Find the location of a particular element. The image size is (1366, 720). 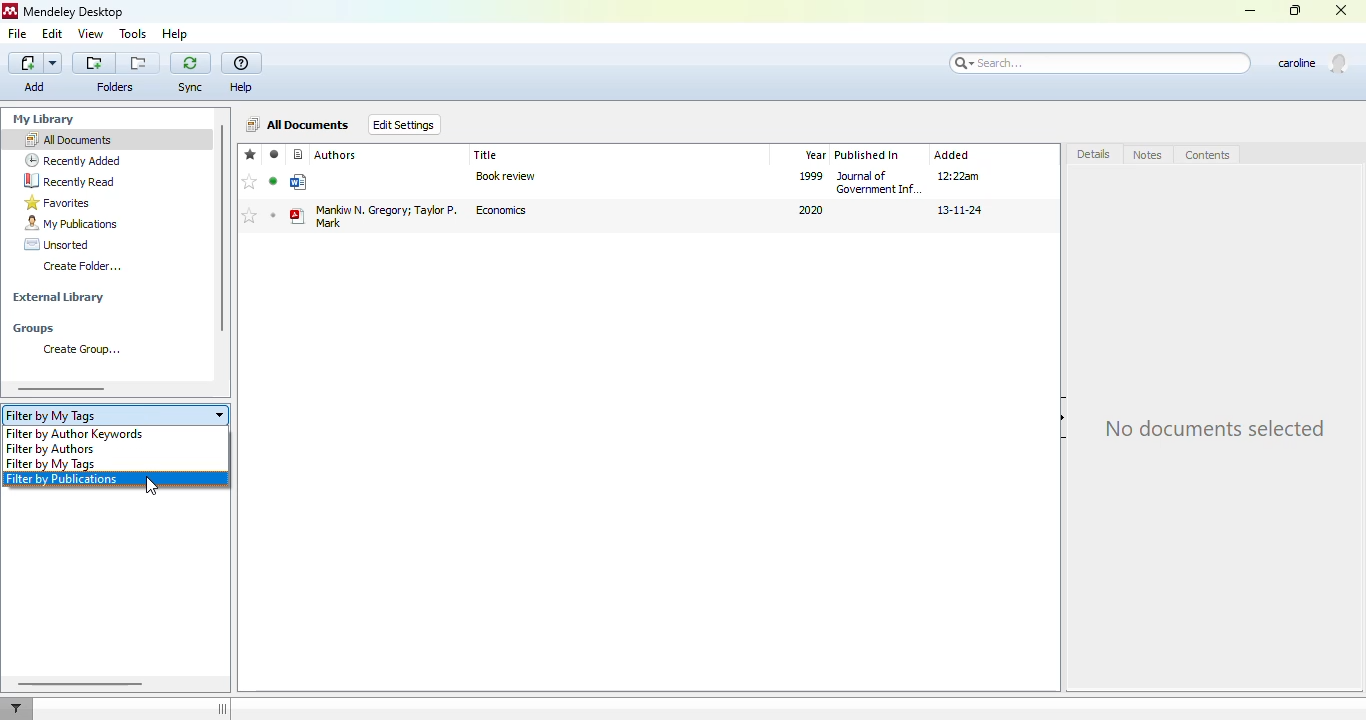

search is located at coordinates (1099, 64).